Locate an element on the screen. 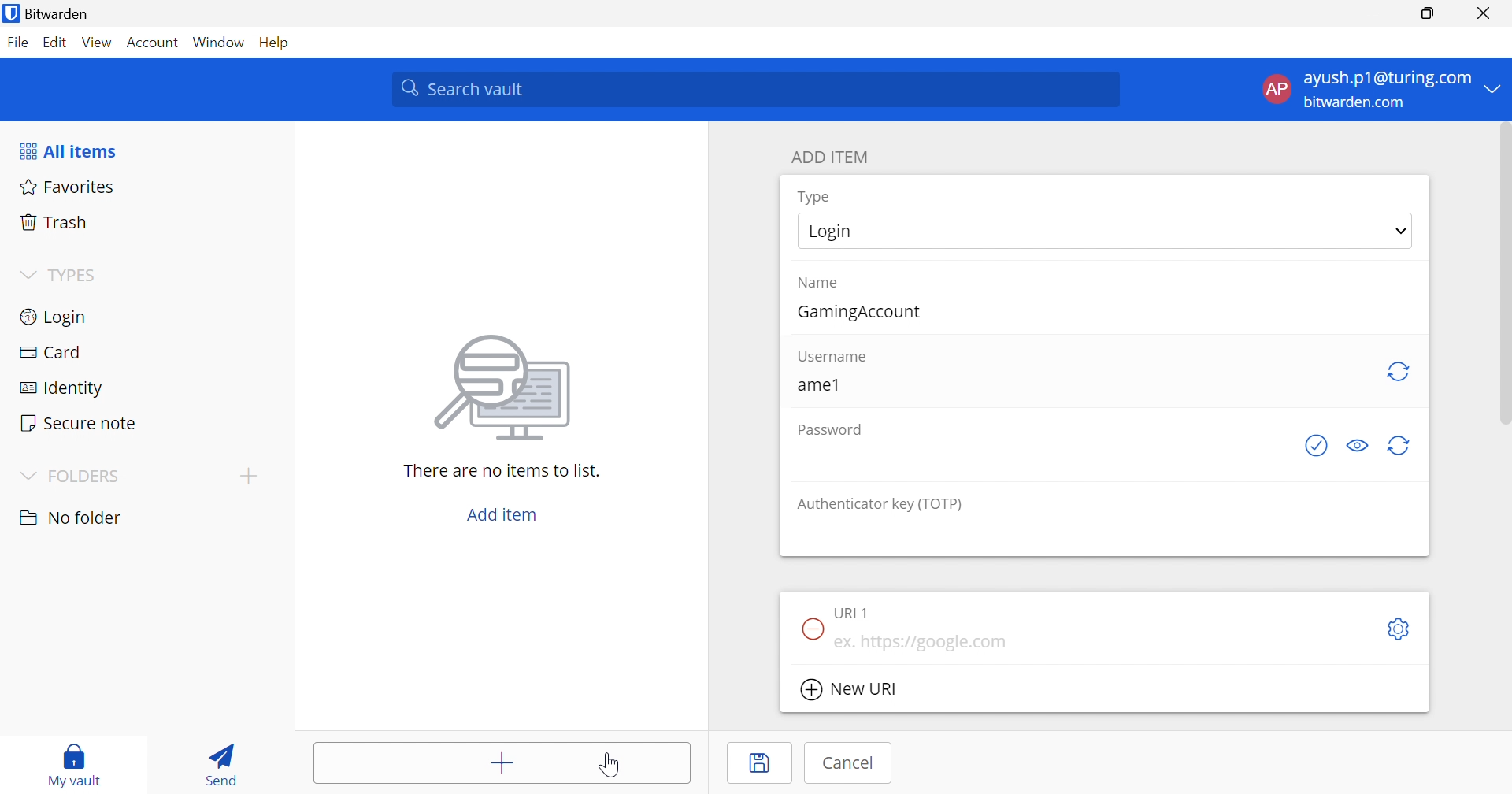  File is located at coordinates (18, 43).